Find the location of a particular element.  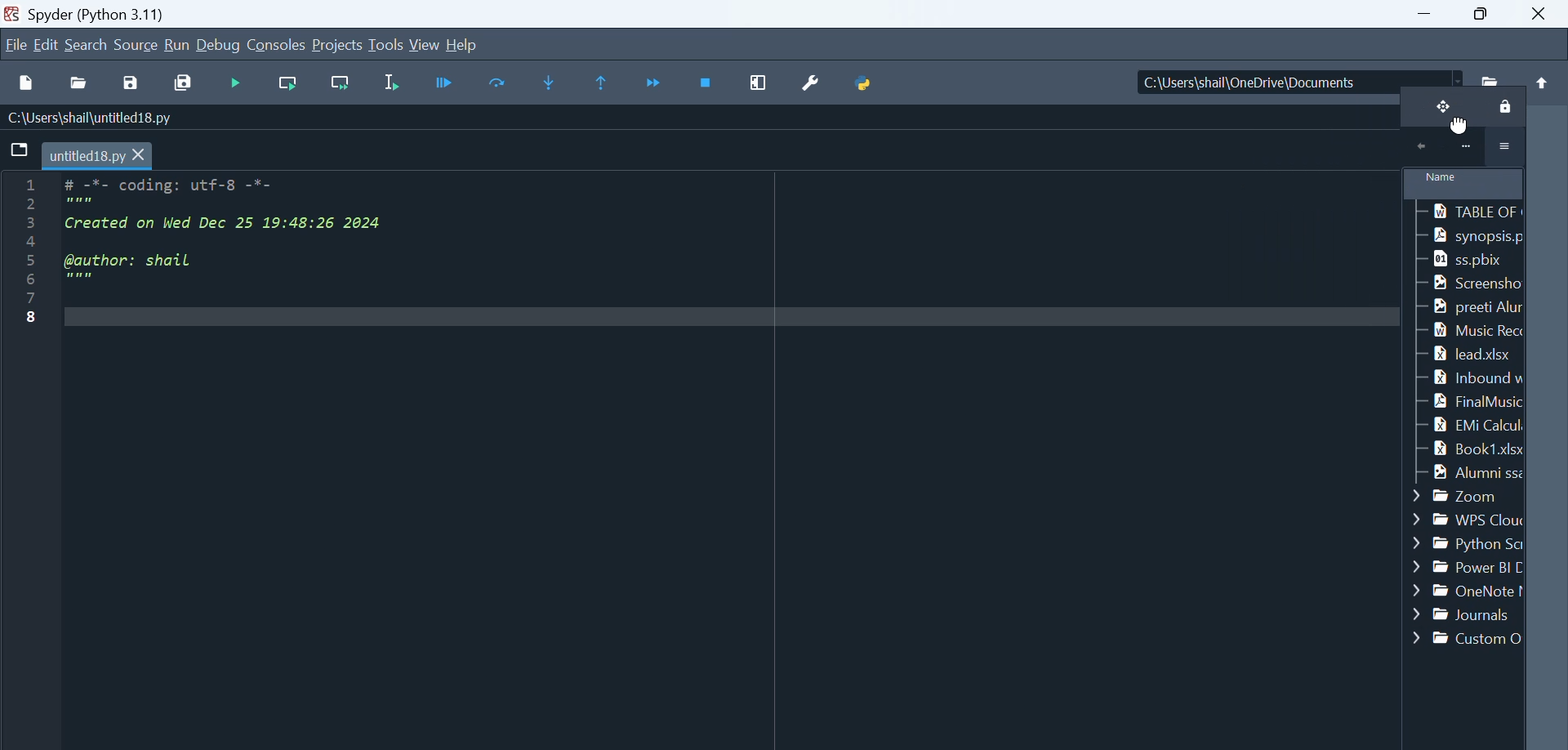

 is located at coordinates (137, 43).